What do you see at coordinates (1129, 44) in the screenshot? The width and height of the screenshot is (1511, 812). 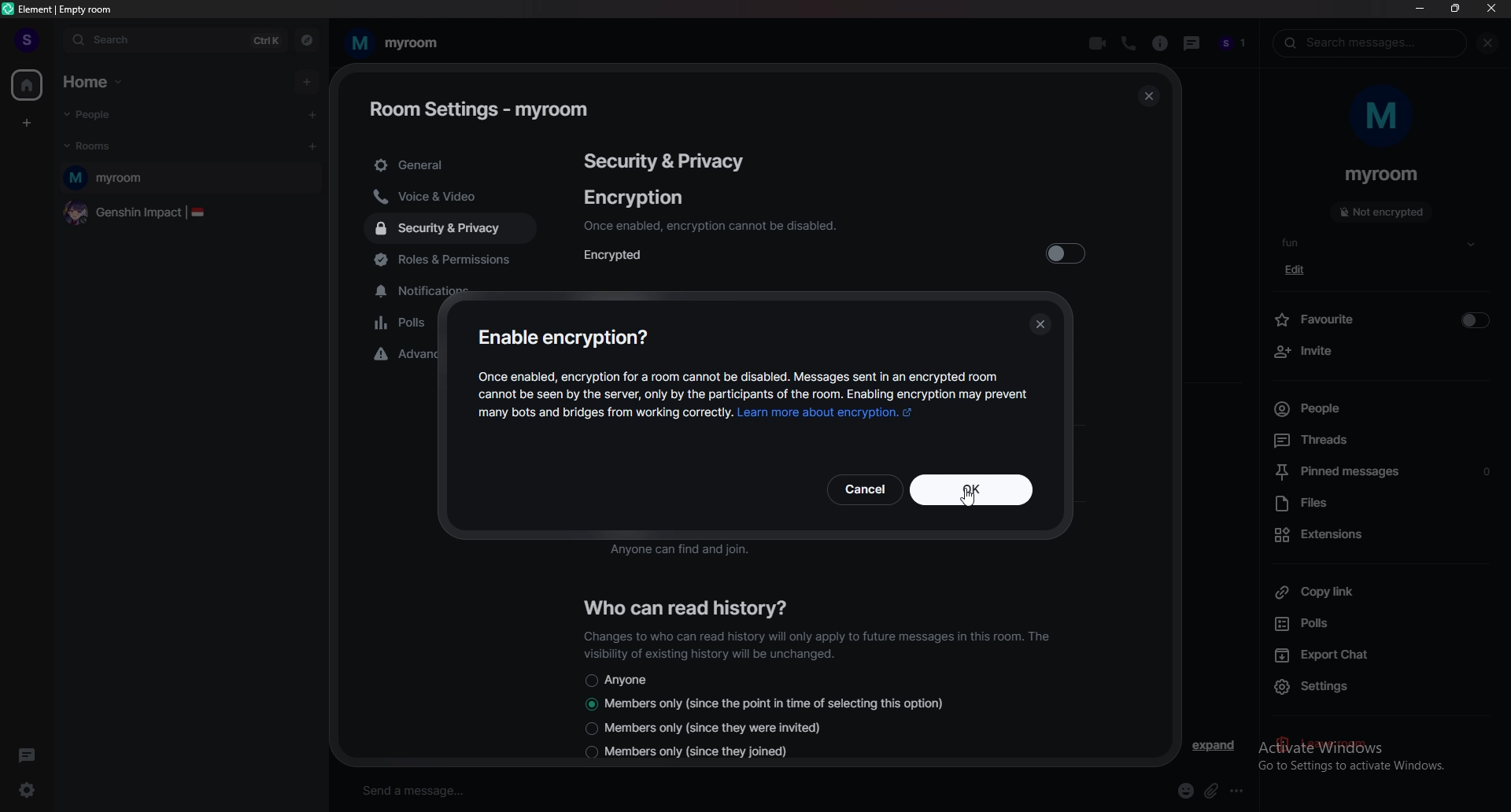 I see `voice call` at bounding box center [1129, 44].